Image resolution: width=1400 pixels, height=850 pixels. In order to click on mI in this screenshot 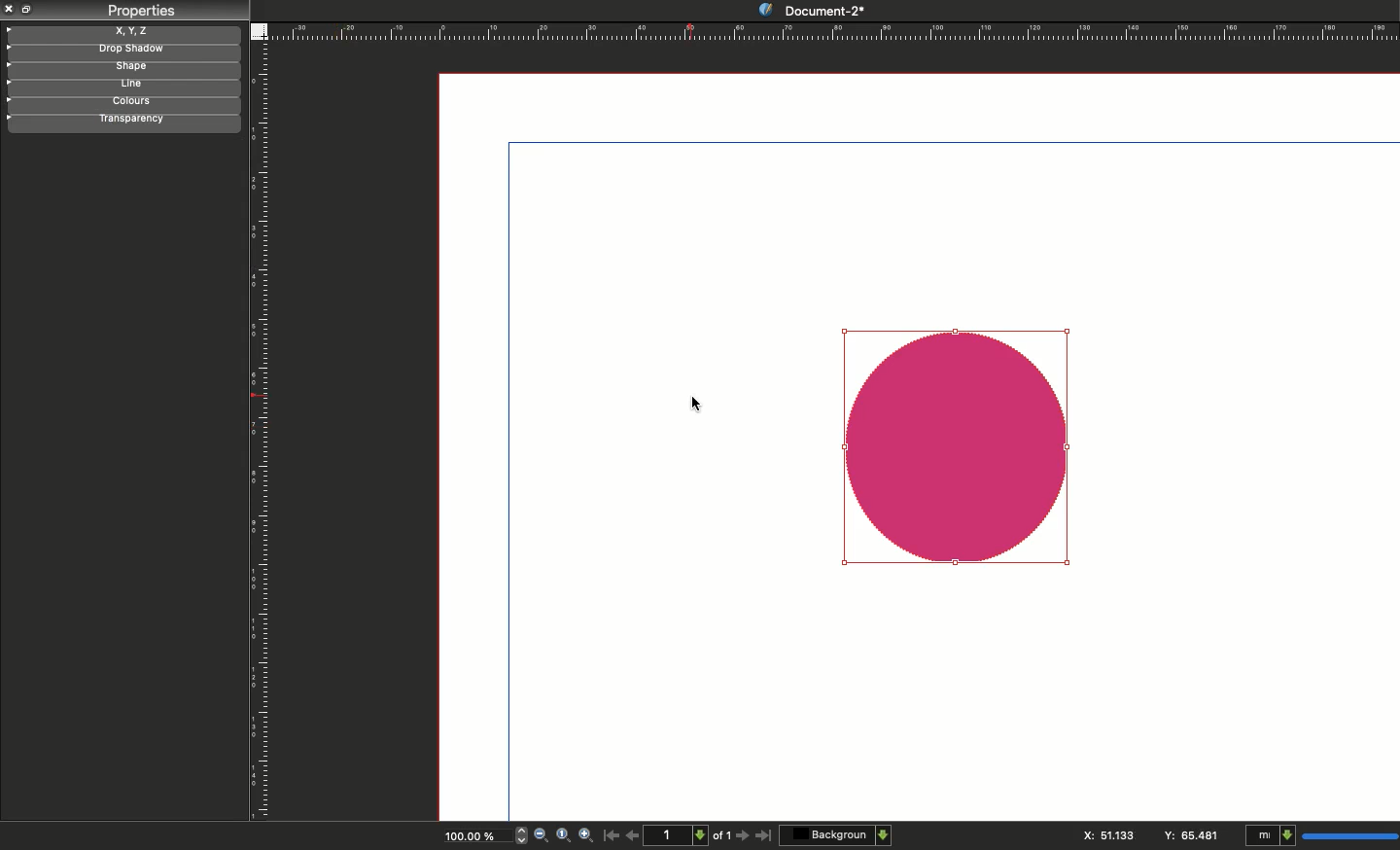, I will do `click(1318, 836)`.